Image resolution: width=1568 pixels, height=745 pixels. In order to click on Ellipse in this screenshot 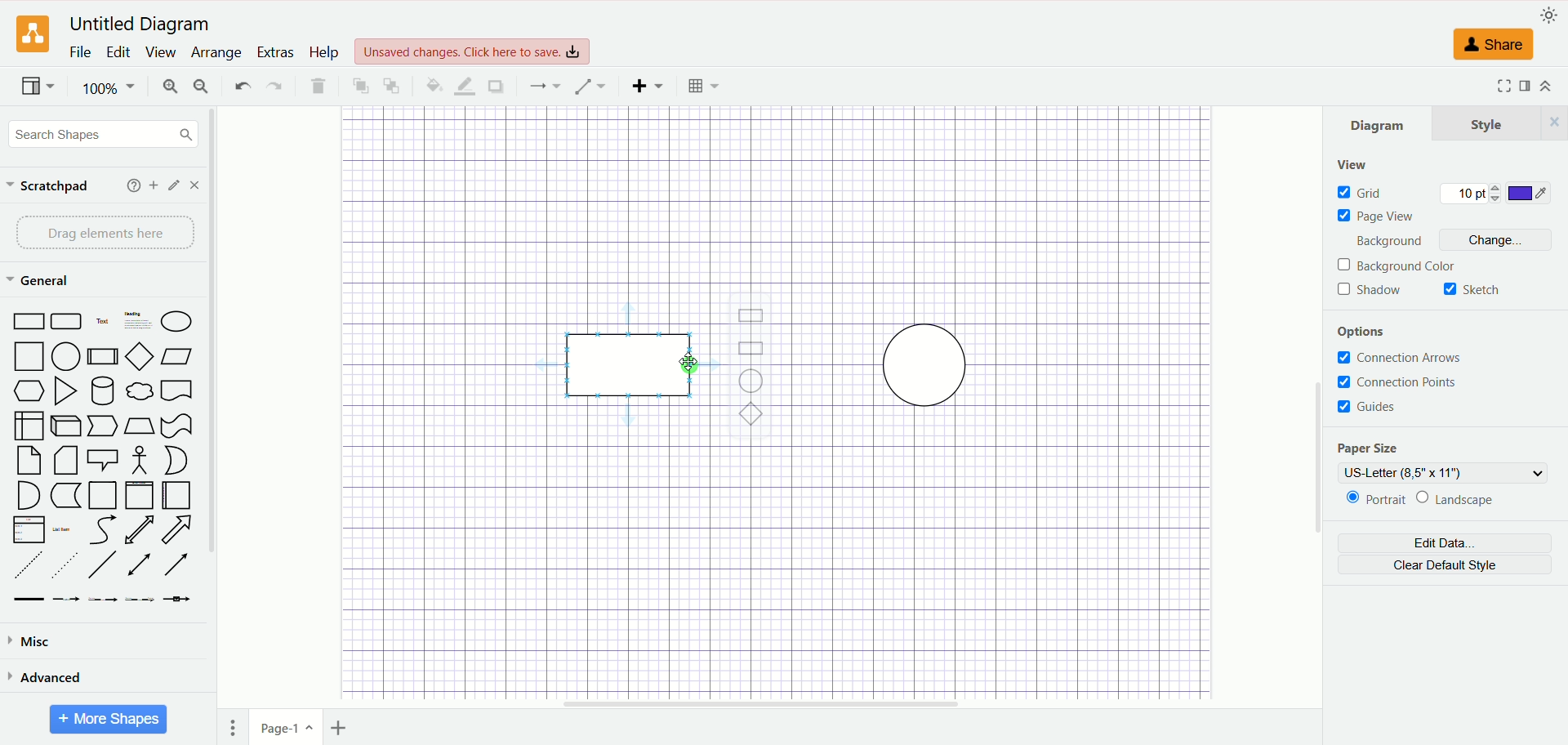, I will do `click(753, 382)`.